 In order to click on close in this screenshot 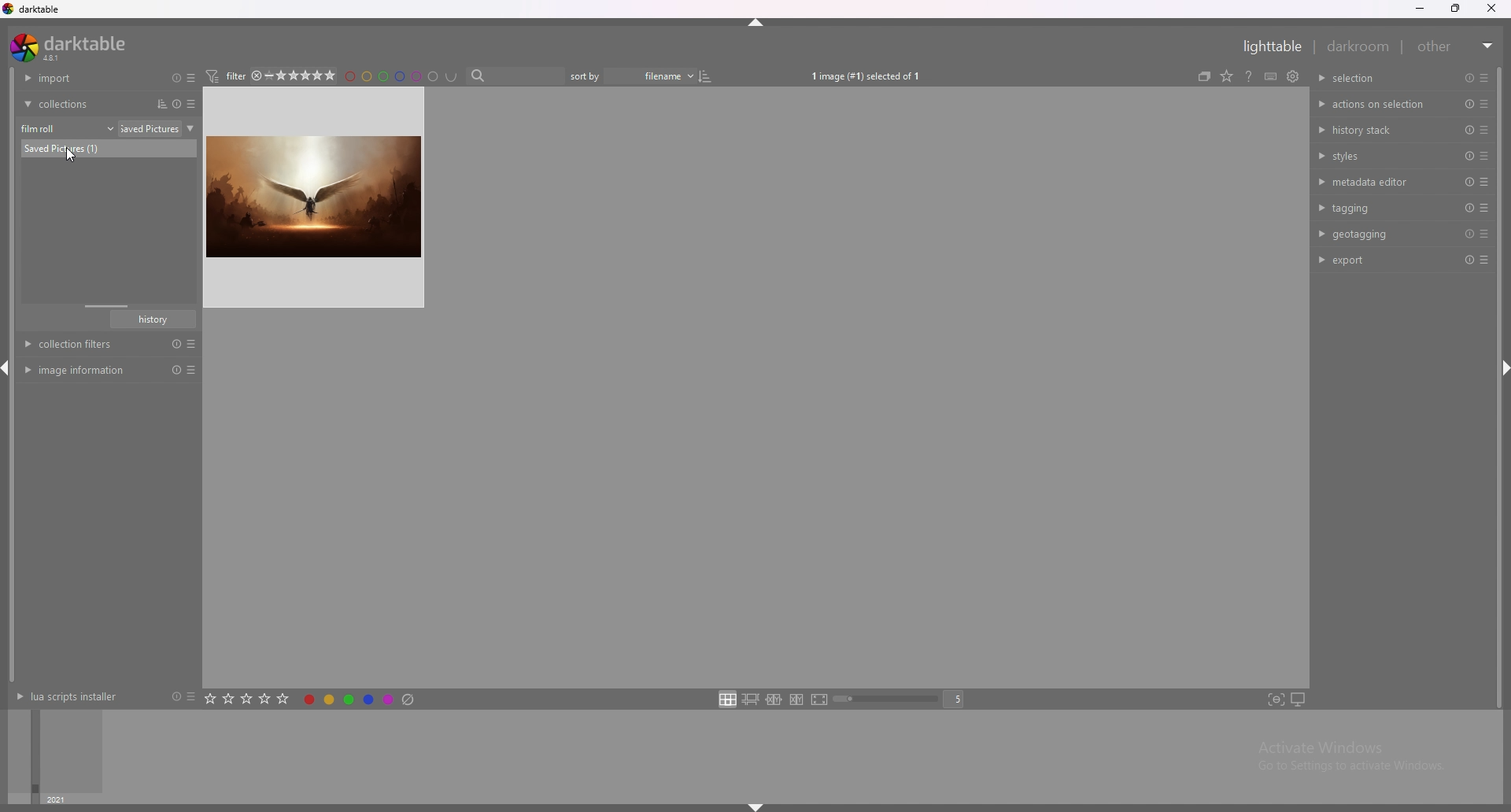, I will do `click(1494, 9)`.